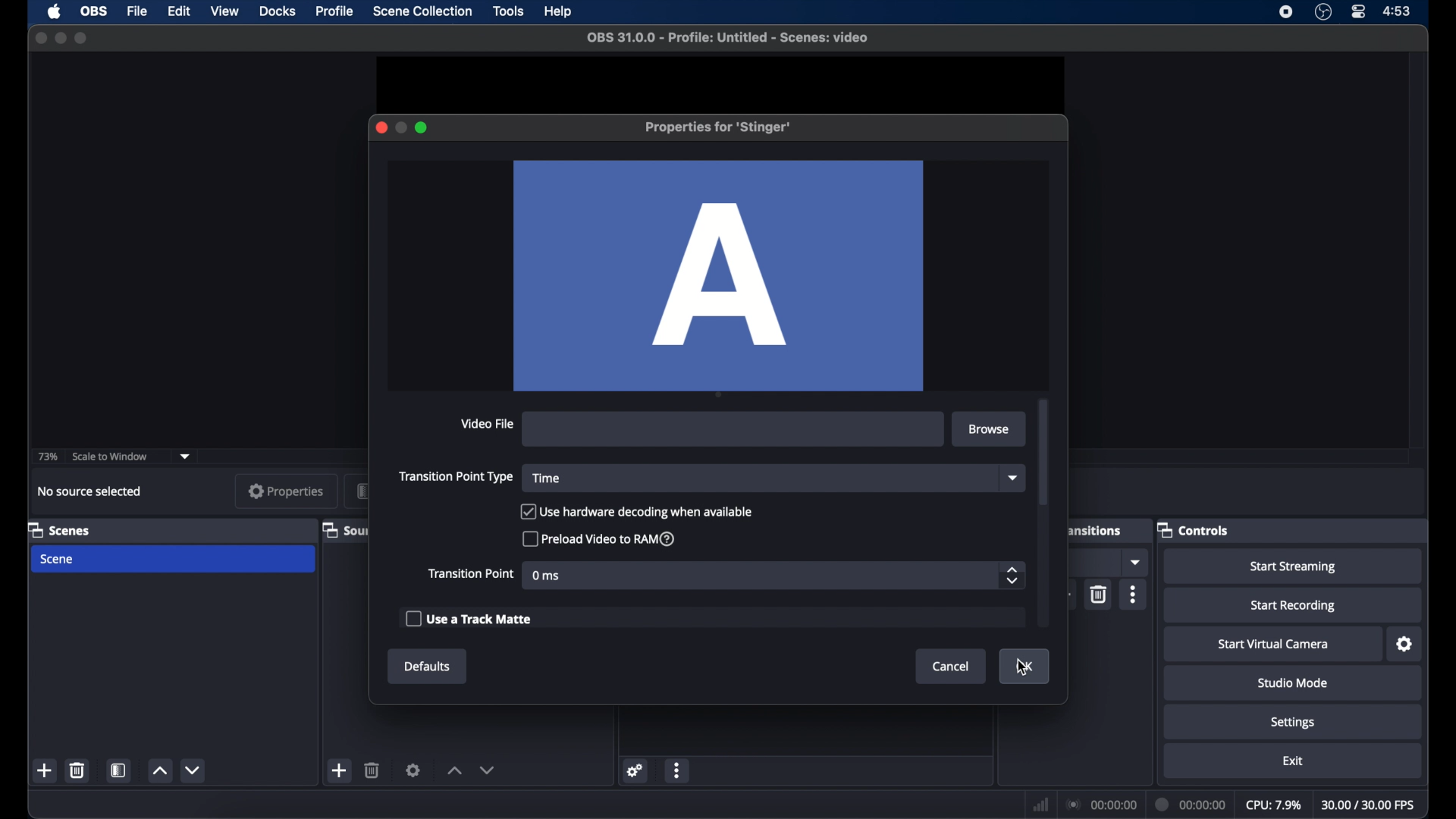 This screenshot has height=819, width=1456. I want to click on start virtual camera, so click(1272, 645).